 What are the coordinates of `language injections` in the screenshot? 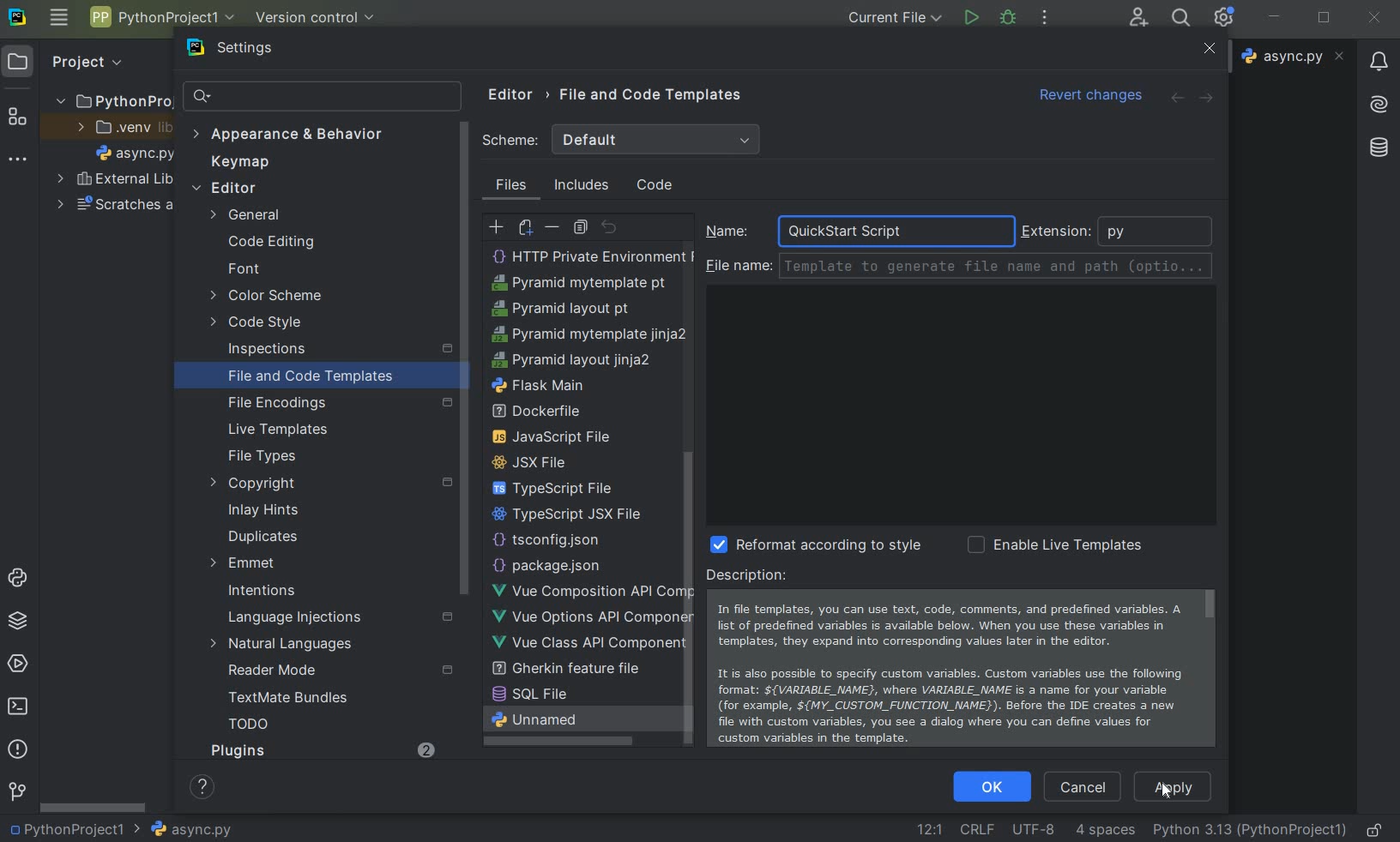 It's located at (334, 617).